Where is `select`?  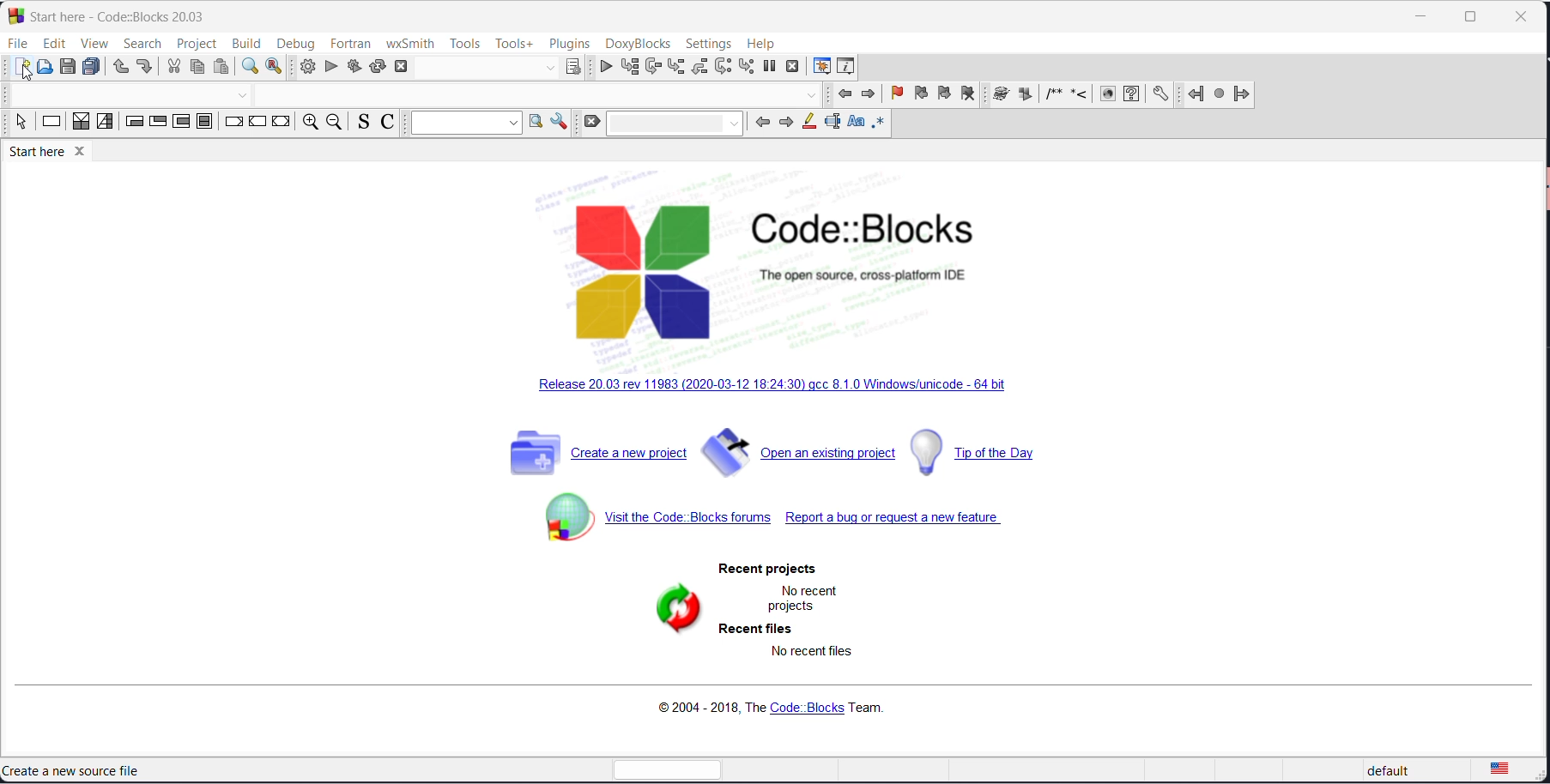
select is located at coordinates (18, 123).